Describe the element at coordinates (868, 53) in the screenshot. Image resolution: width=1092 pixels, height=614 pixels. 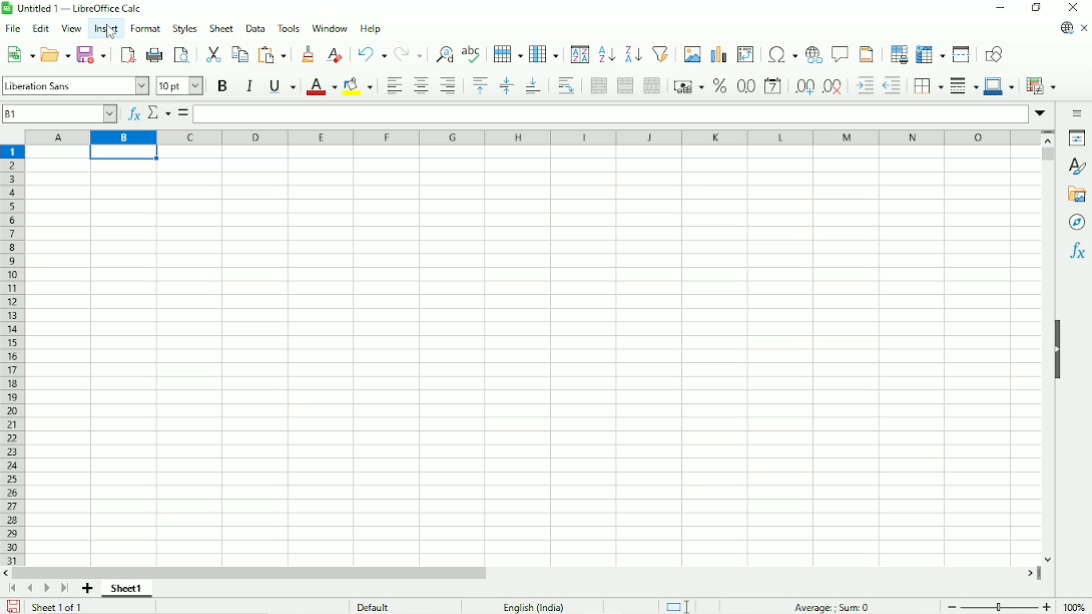
I see `Header and footer` at that location.